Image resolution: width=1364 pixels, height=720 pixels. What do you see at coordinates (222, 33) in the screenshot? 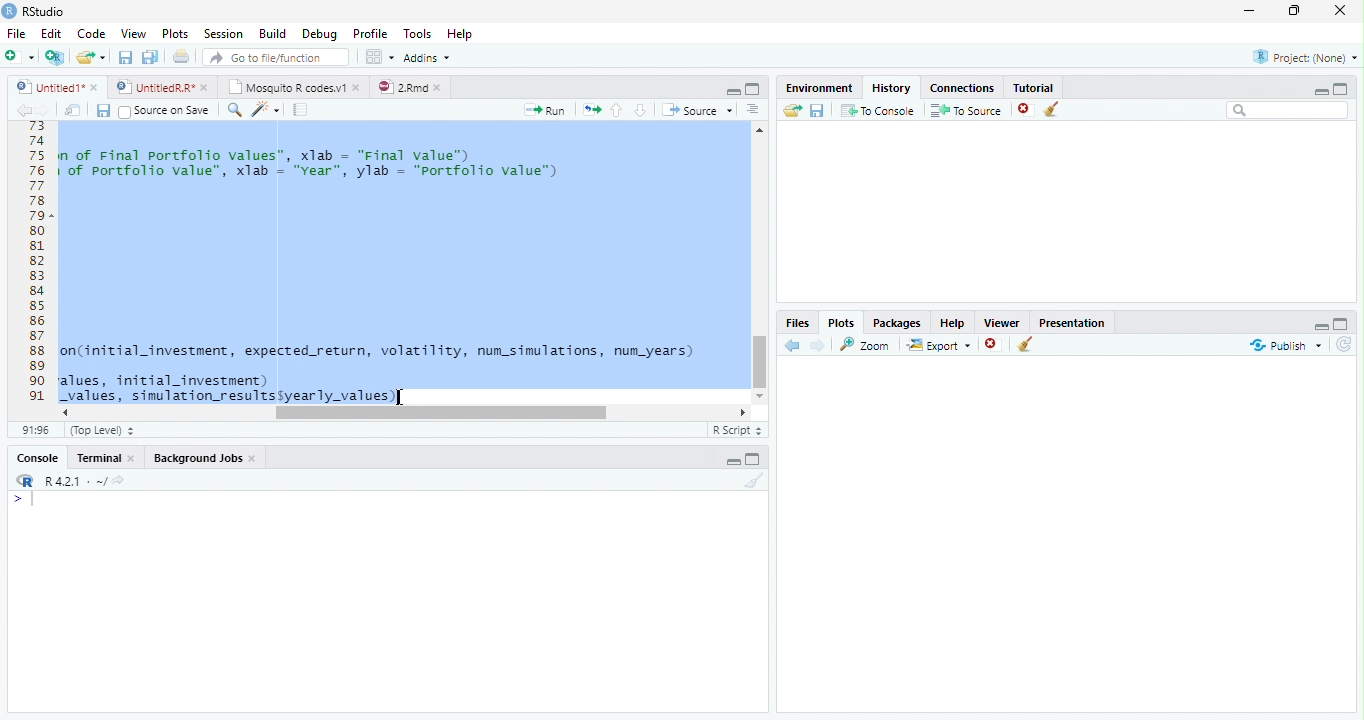
I see `Session` at bounding box center [222, 33].